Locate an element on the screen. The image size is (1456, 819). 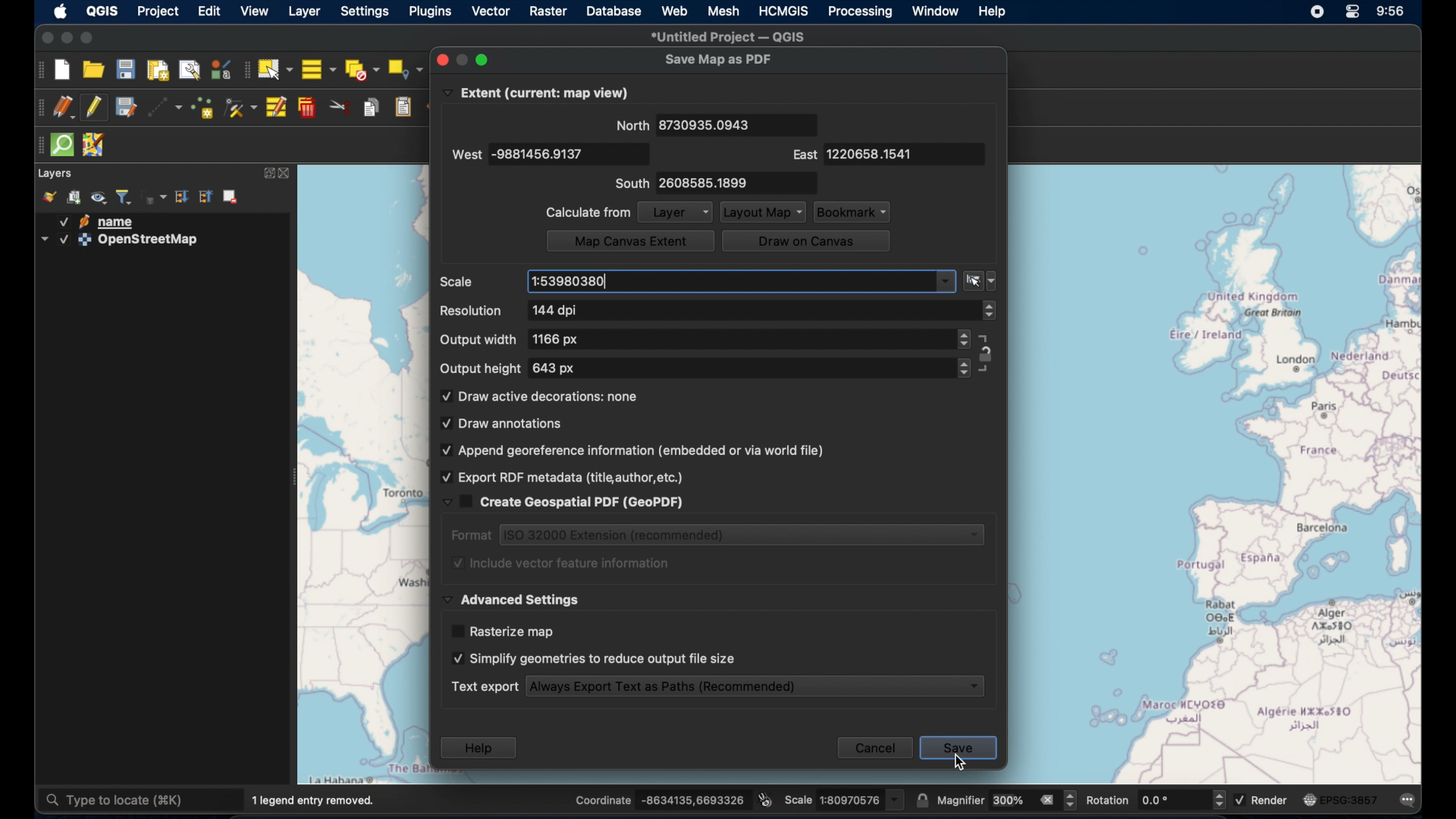
maximize is located at coordinates (90, 39).